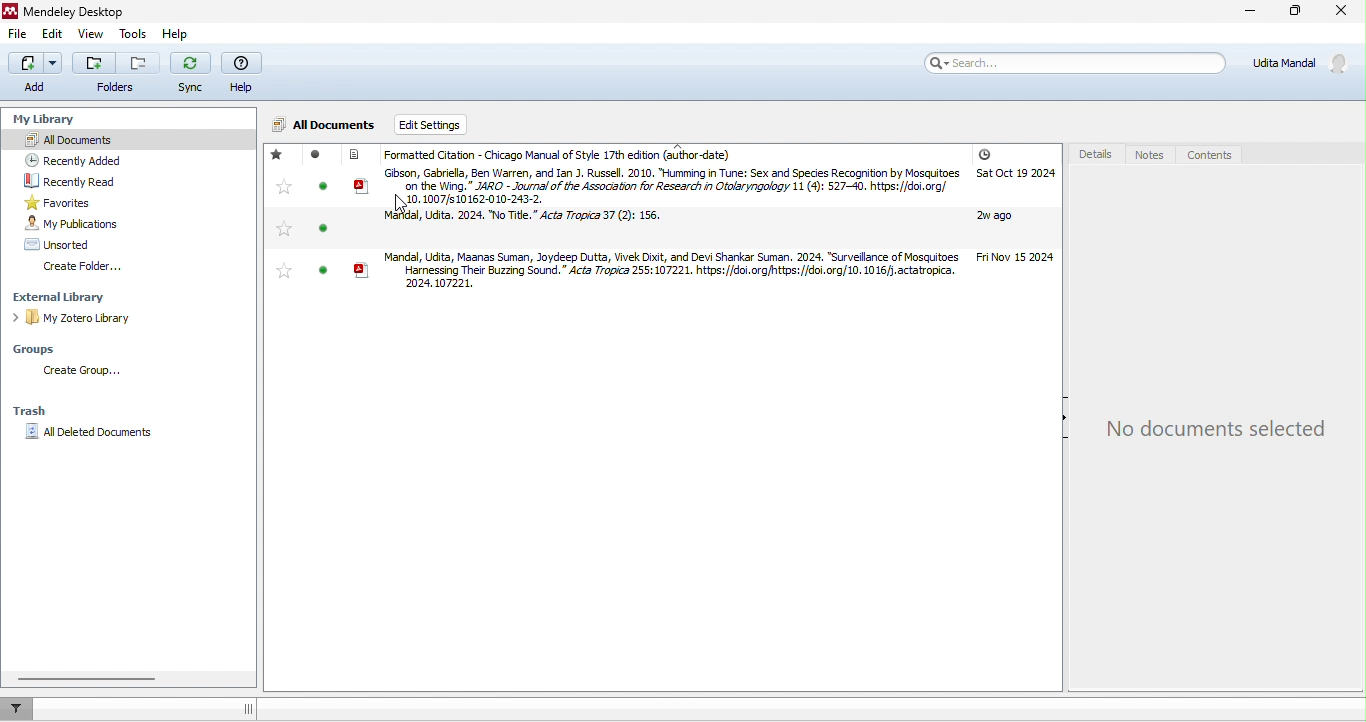  What do you see at coordinates (100, 138) in the screenshot?
I see `all documents` at bounding box center [100, 138].